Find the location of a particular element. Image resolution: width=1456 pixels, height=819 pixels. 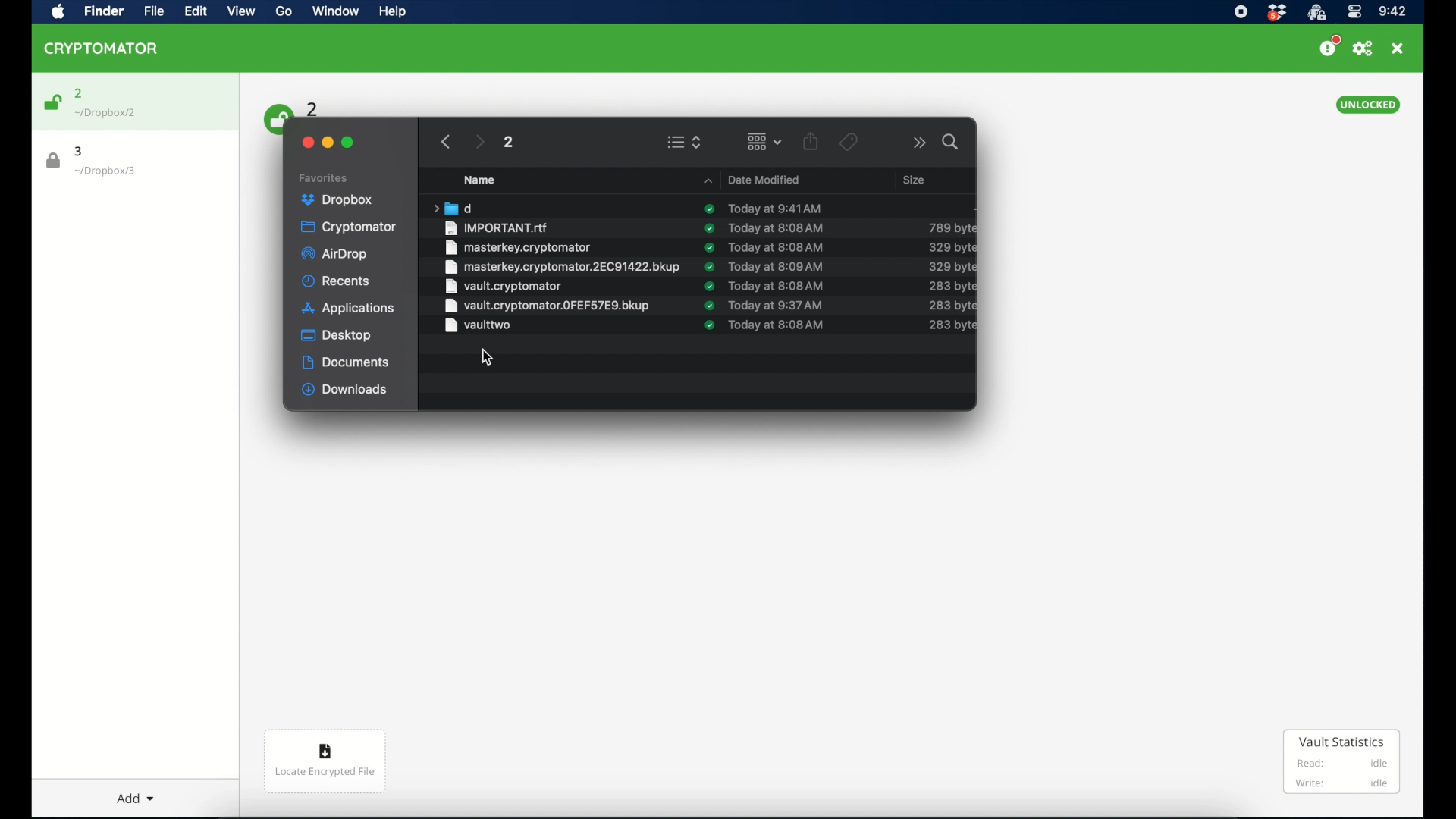

cryptomator is located at coordinates (348, 227).